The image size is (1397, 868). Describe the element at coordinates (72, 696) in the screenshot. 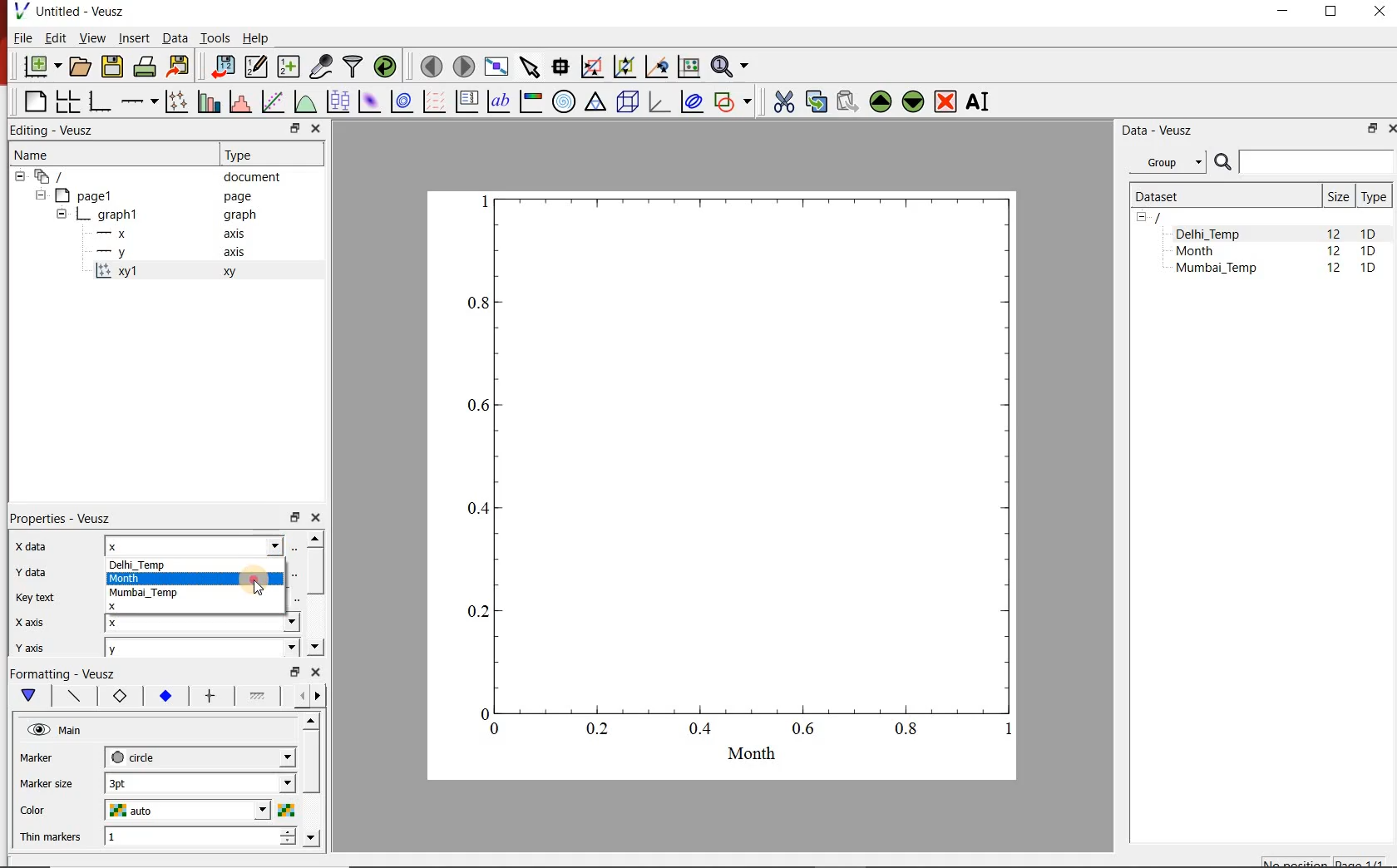

I see `Axis line` at that location.